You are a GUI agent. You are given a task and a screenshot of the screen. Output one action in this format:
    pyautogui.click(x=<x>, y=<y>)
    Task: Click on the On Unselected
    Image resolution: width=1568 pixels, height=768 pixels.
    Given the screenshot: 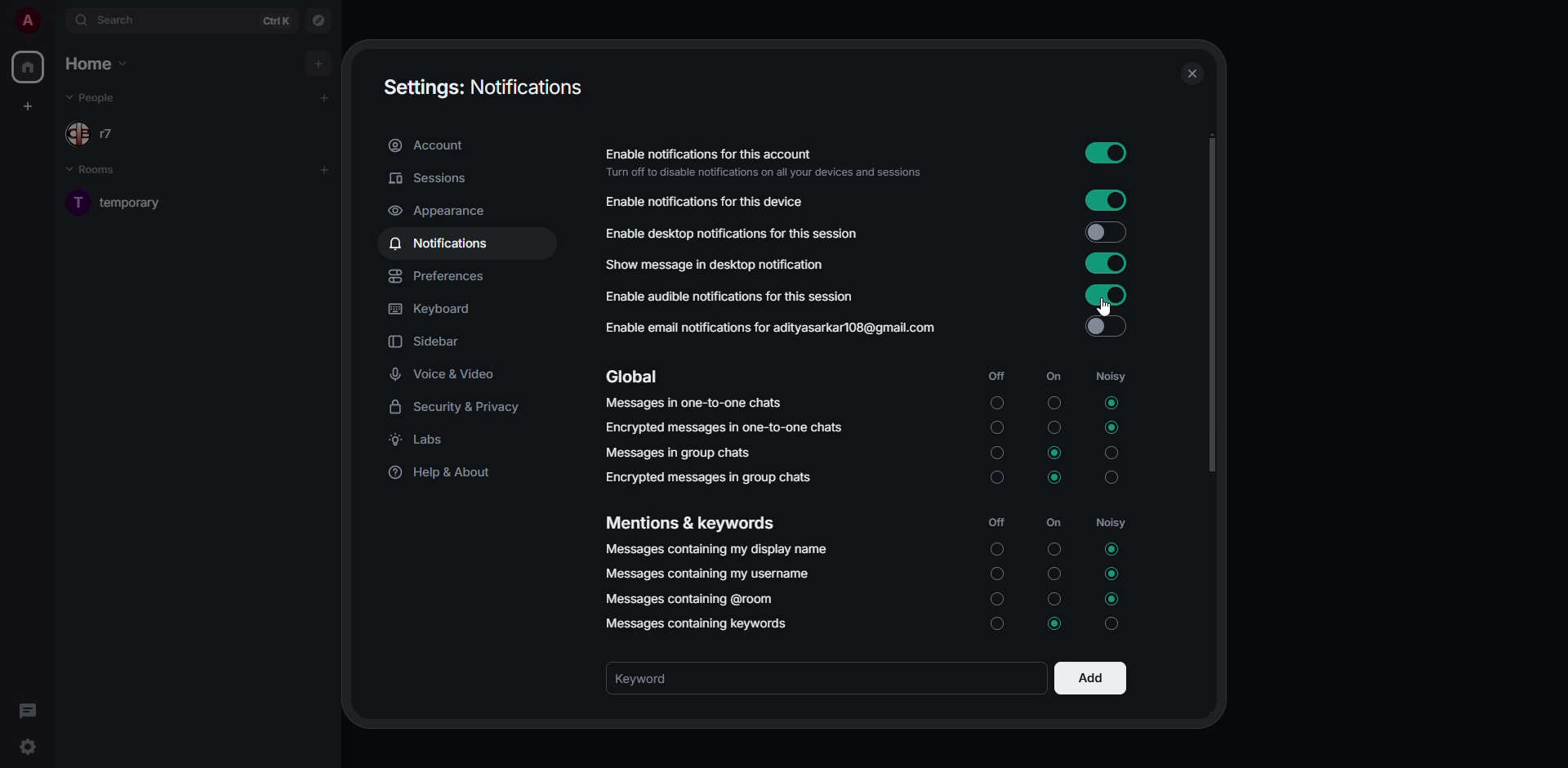 What is the action you would take?
    pyautogui.click(x=1053, y=575)
    